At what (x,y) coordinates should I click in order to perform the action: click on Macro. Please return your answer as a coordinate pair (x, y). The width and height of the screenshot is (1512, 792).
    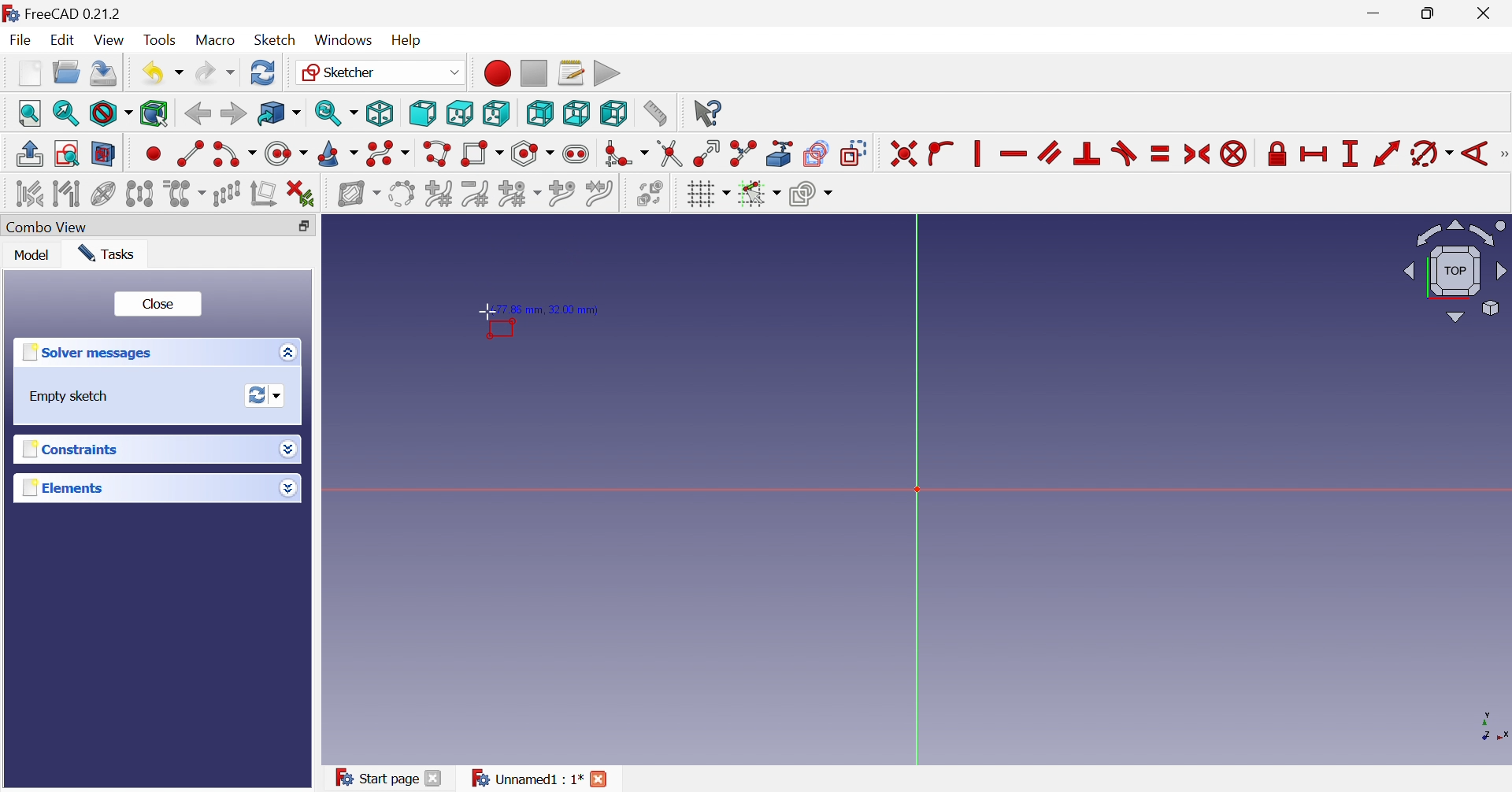
    Looking at the image, I should click on (214, 41).